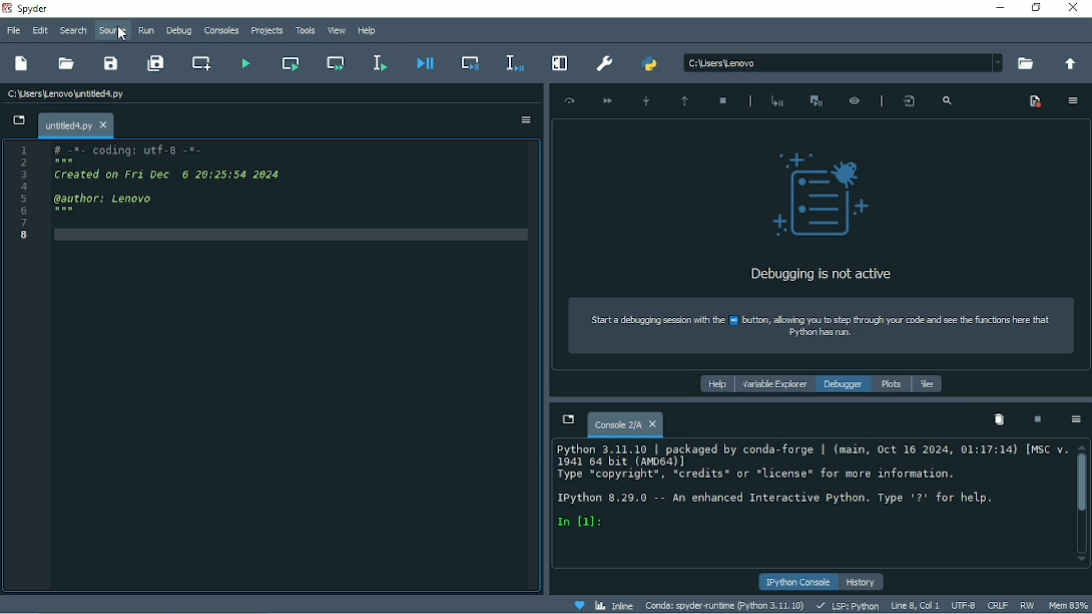 The height and width of the screenshot is (614, 1092). Describe the element at coordinates (109, 63) in the screenshot. I see `Save file` at that location.